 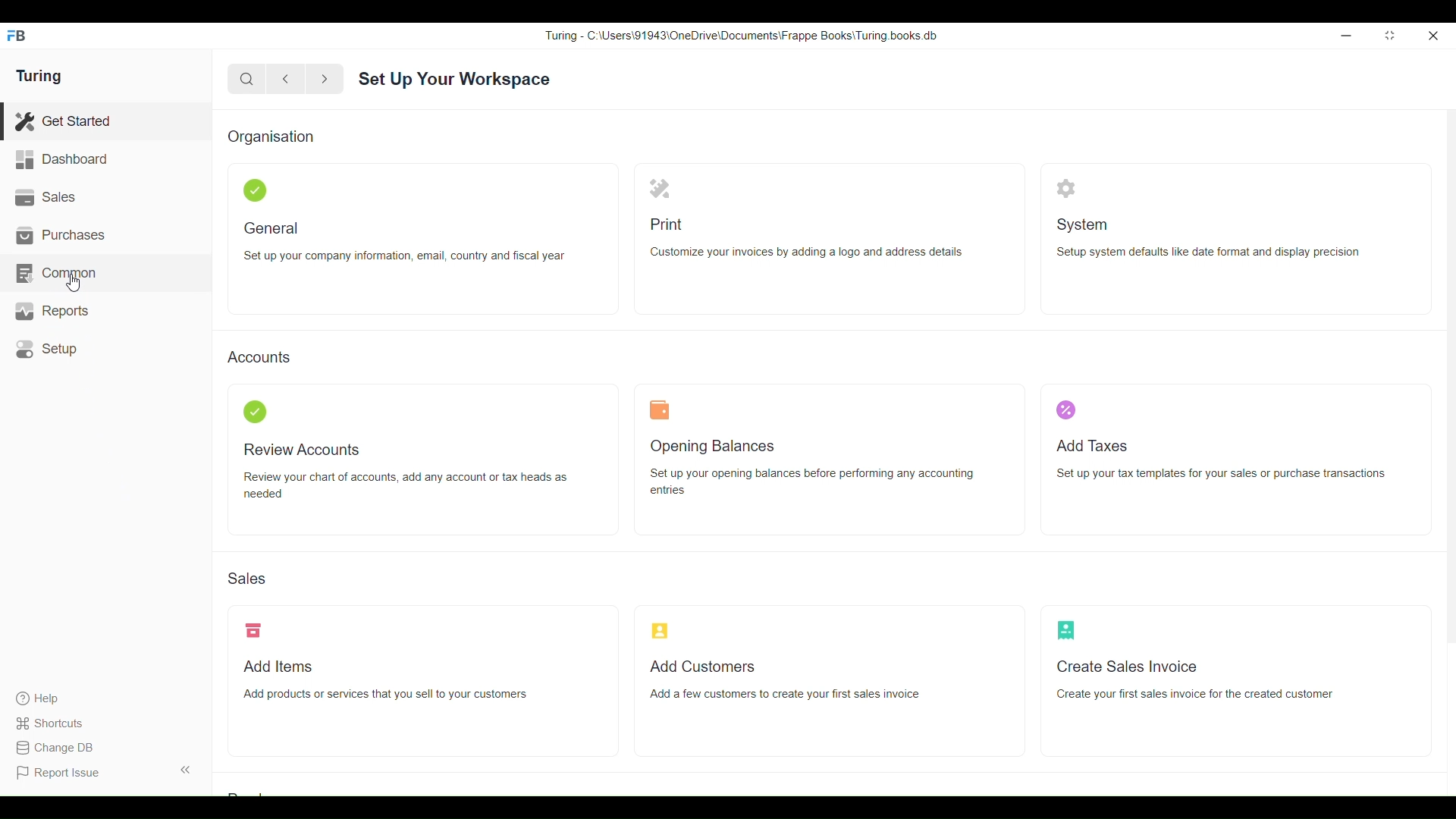 What do you see at coordinates (325, 80) in the screenshot?
I see `Next` at bounding box center [325, 80].